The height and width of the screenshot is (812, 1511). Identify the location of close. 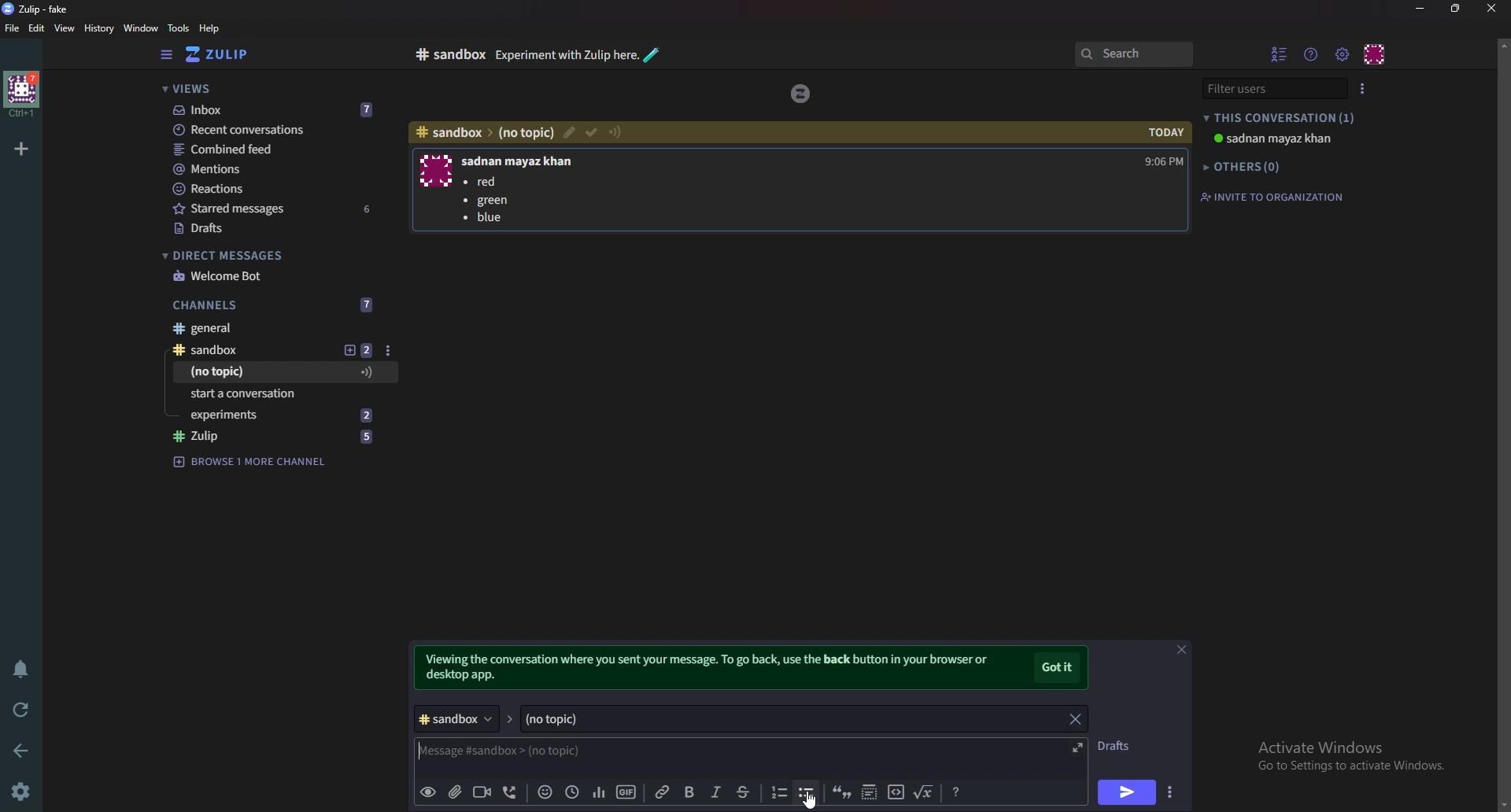
(1490, 8).